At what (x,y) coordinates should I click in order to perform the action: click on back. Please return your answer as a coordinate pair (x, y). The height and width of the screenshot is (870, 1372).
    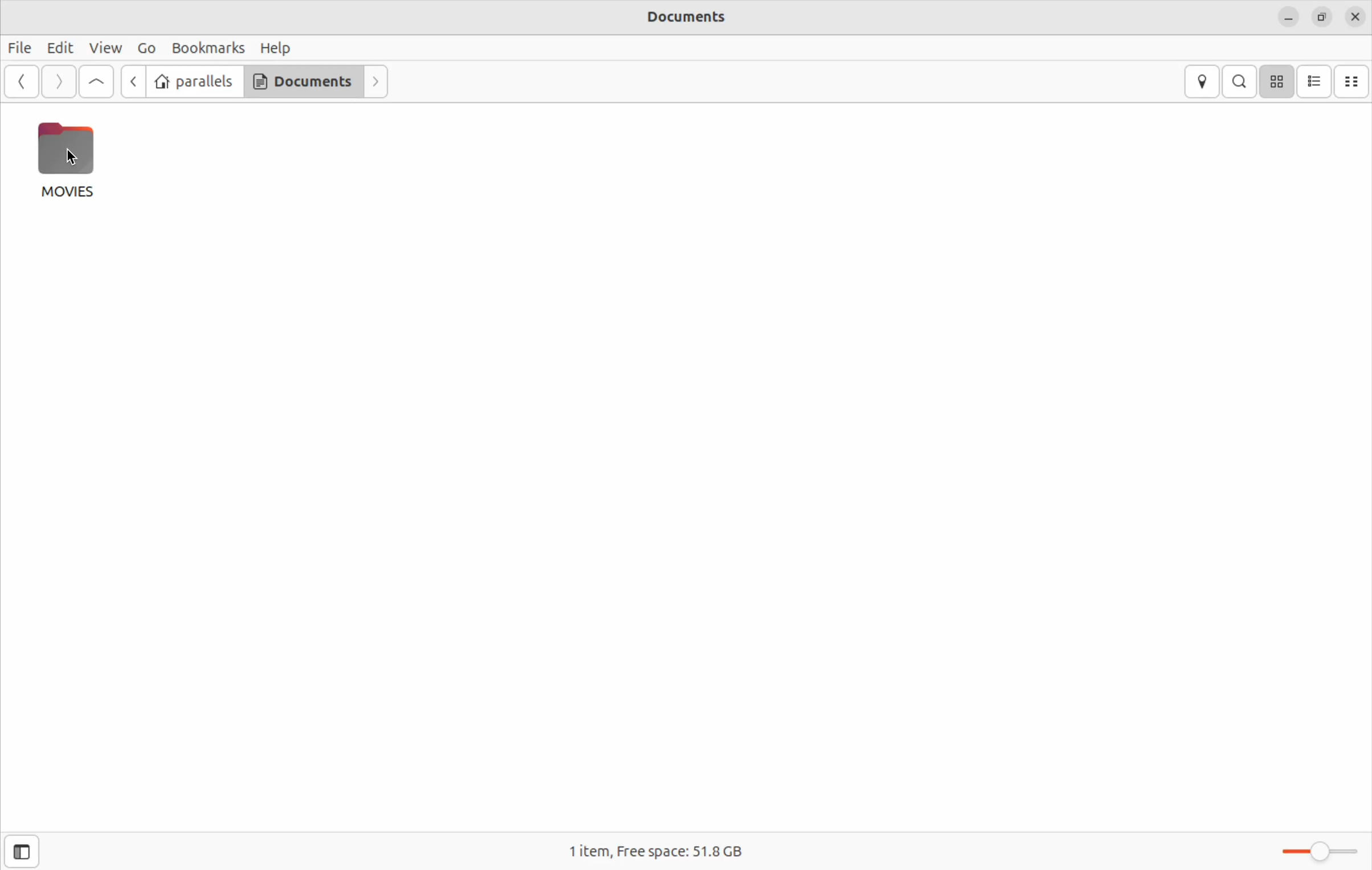
    Looking at the image, I should click on (135, 82).